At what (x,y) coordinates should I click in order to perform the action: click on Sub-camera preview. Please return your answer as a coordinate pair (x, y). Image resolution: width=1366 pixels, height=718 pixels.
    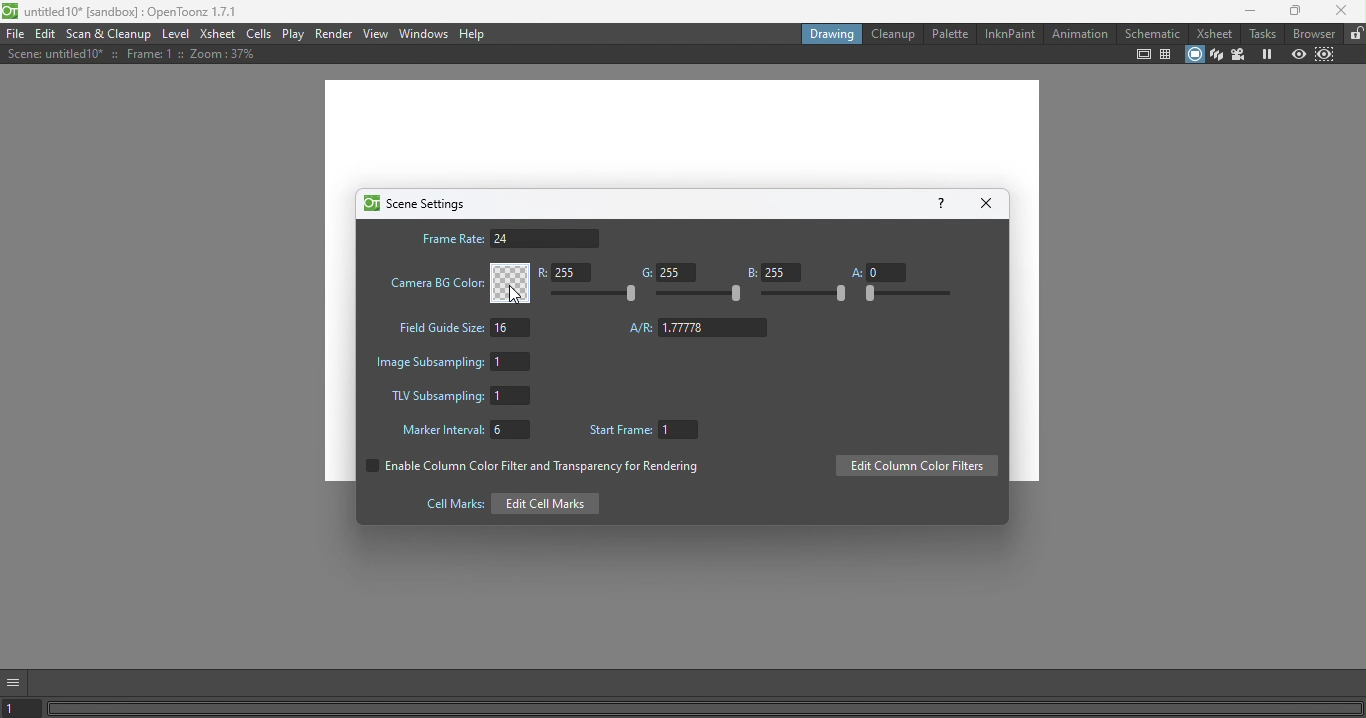
    Looking at the image, I should click on (1326, 53).